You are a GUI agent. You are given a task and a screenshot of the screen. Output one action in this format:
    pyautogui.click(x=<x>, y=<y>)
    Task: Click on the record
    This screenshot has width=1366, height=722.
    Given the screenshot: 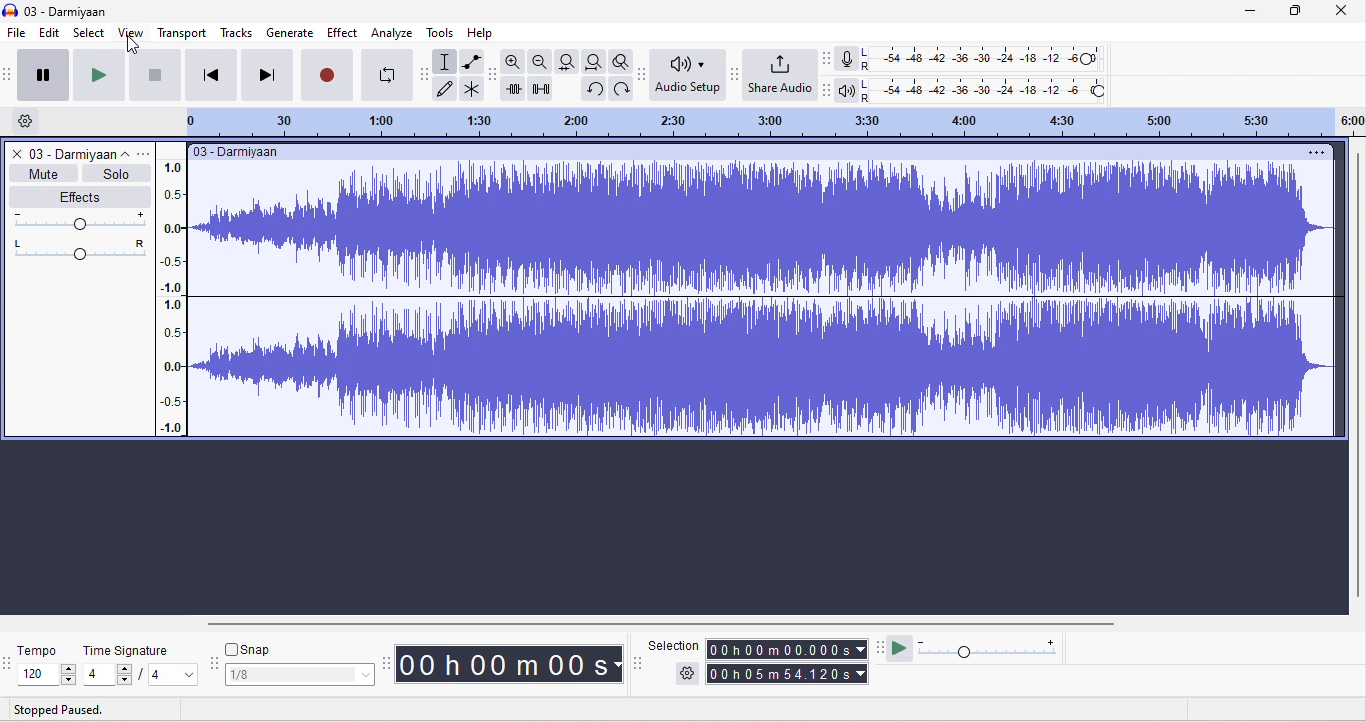 What is the action you would take?
    pyautogui.click(x=329, y=73)
    